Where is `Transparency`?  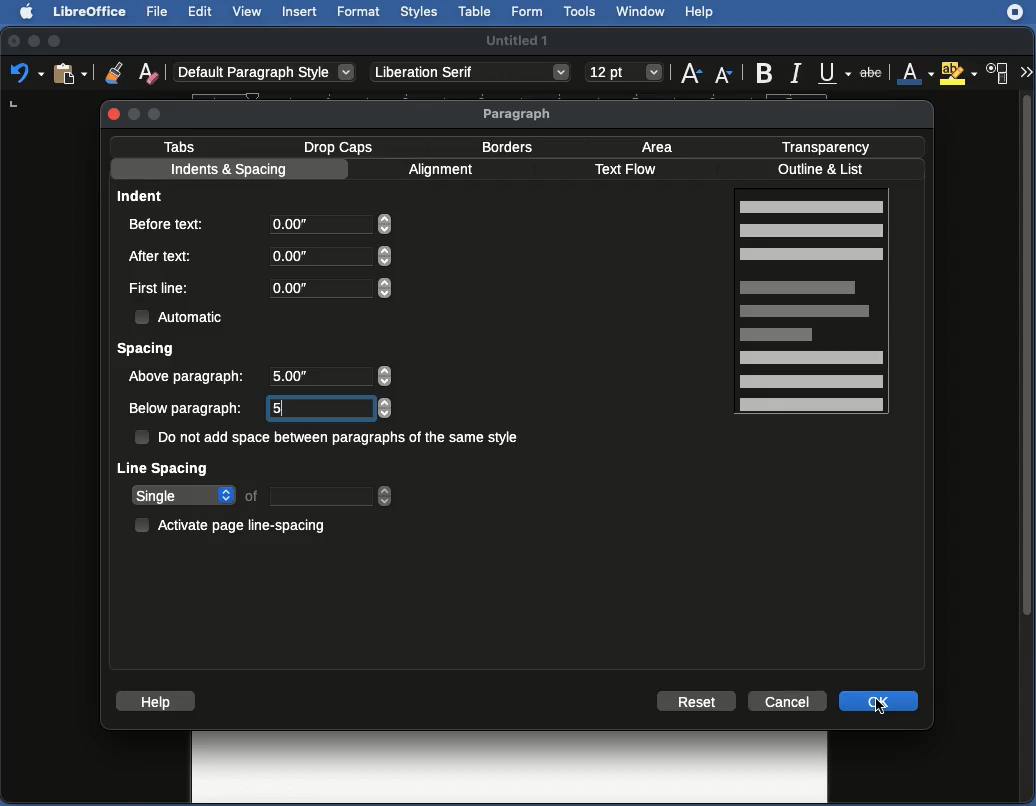
Transparency is located at coordinates (826, 145).